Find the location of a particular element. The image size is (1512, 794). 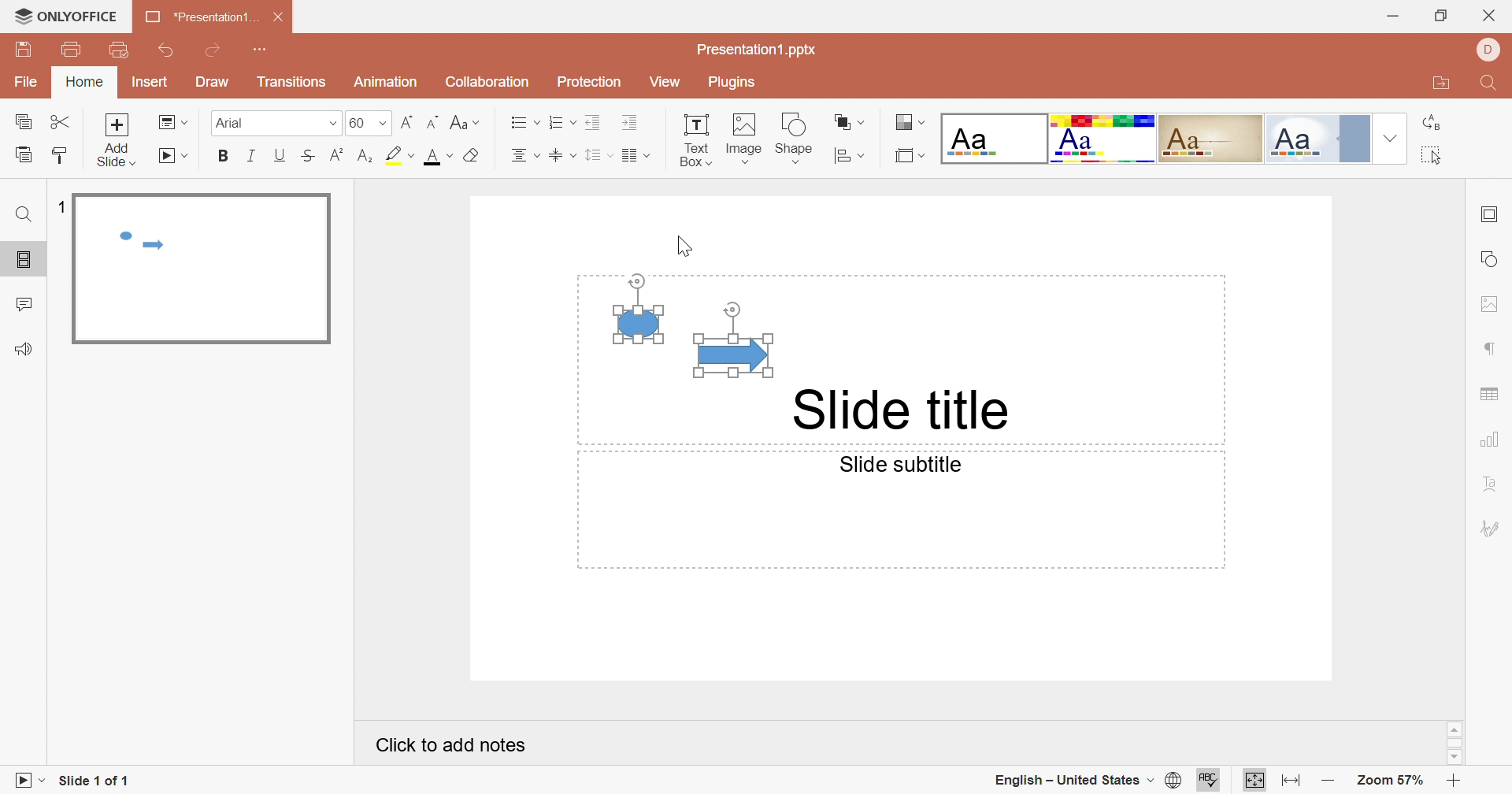

Copy is located at coordinates (20, 123).